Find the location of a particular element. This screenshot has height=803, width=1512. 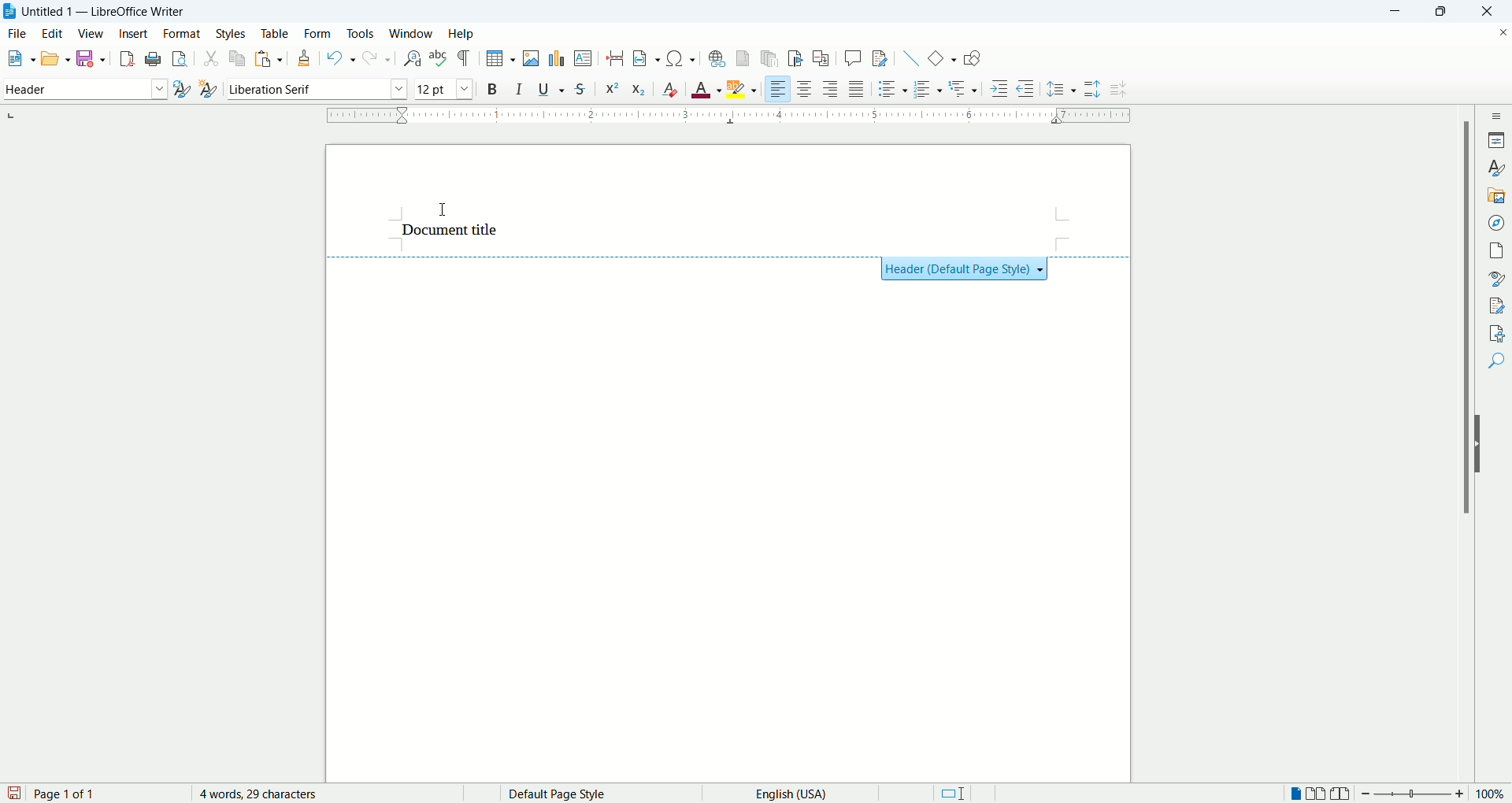

page style is located at coordinates (592, 792).